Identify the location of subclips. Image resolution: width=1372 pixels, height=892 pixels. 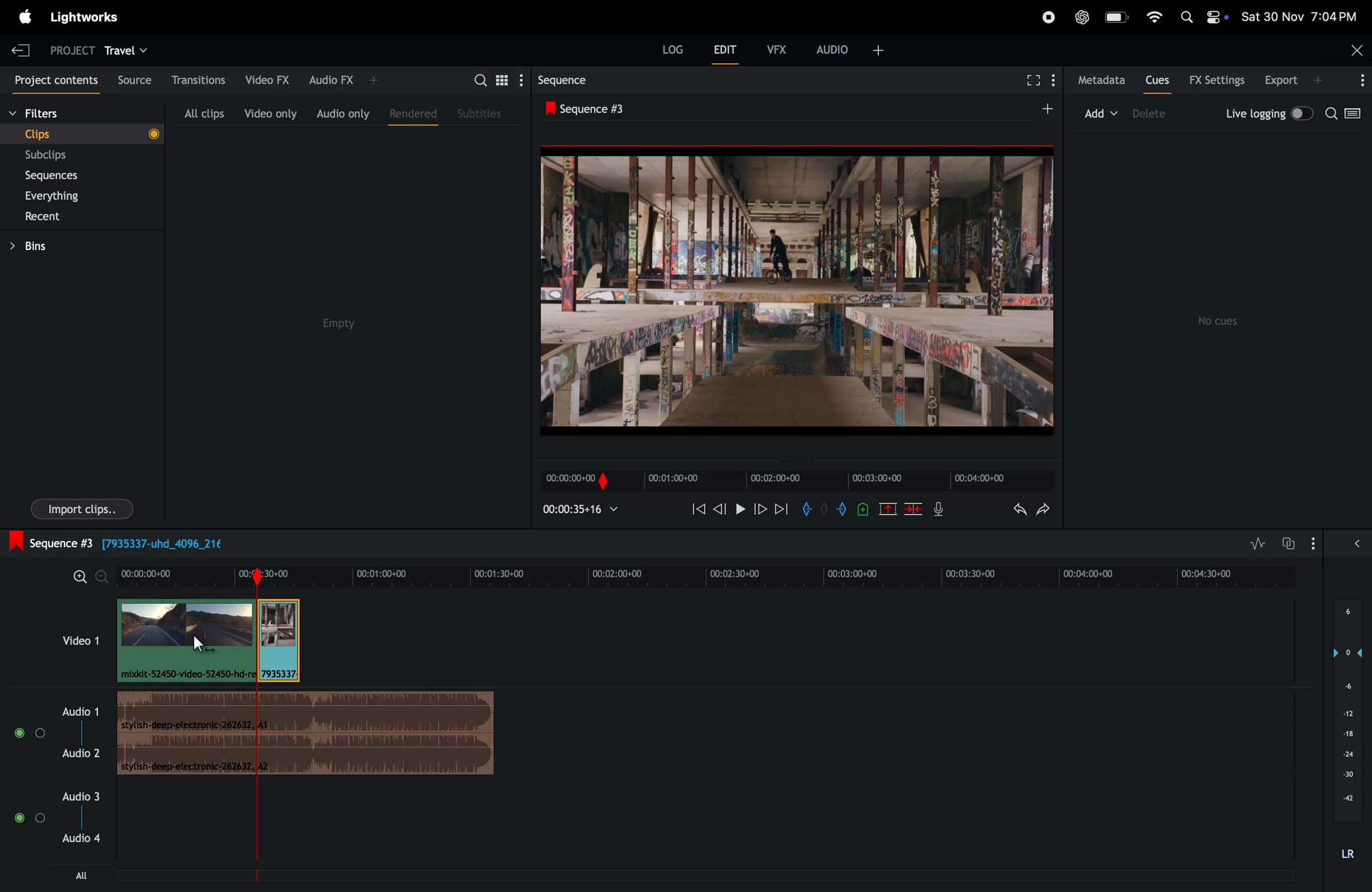
(64, 155).